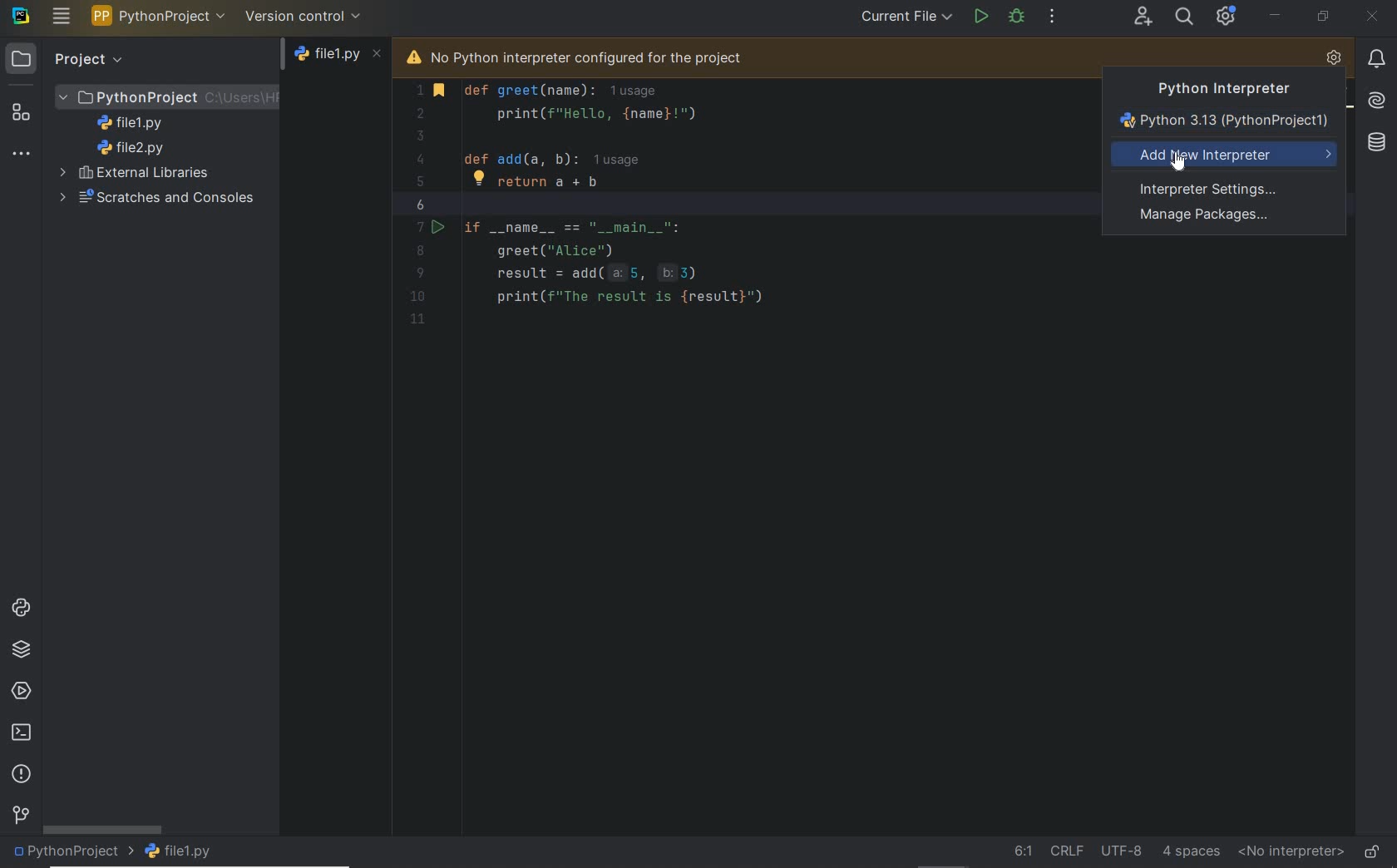 The image size is (1397, 868). Describe the element at coordinates (1276, 15) in the screenshot. I see `MINIMIZE` at that location.